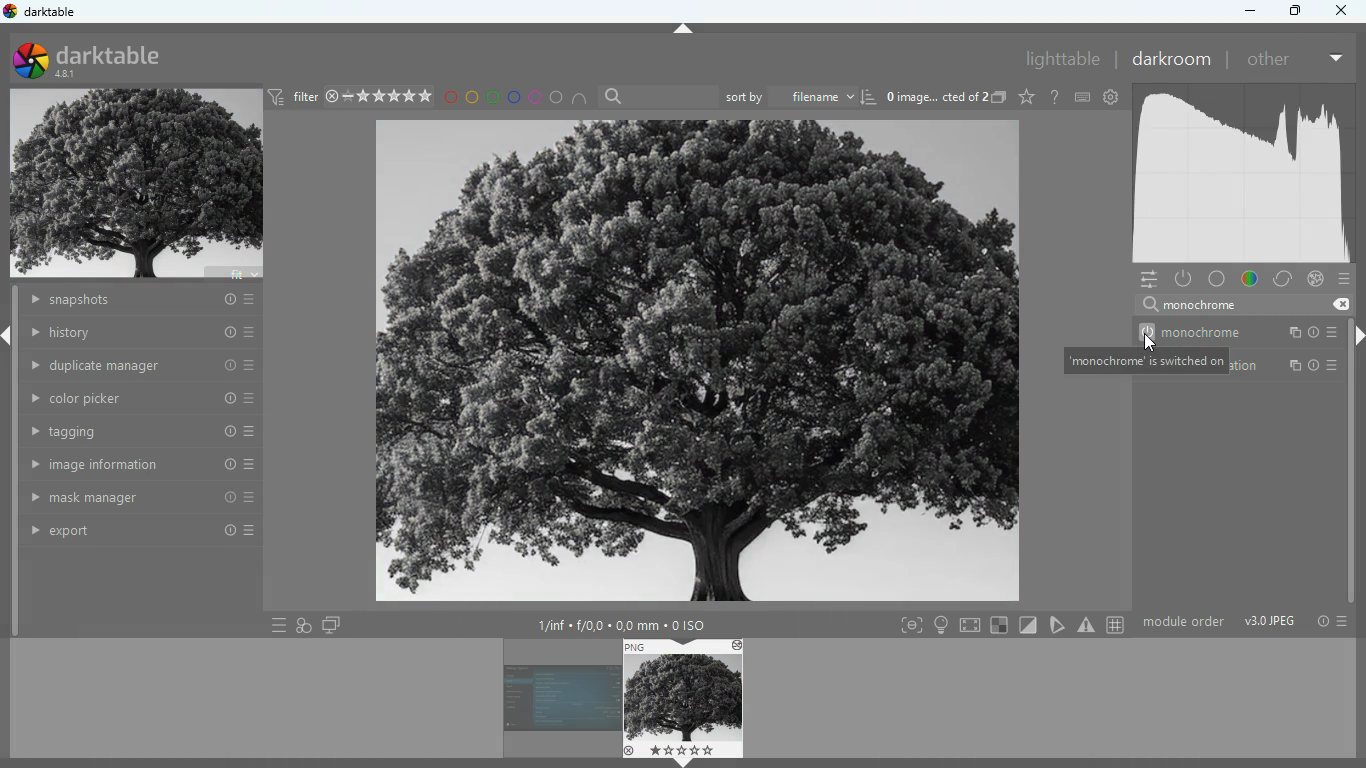 This screenshot has height=768, width=1366. Describe the element at coordinates (969, 625) in the screenshot. I see `screen` at that location.